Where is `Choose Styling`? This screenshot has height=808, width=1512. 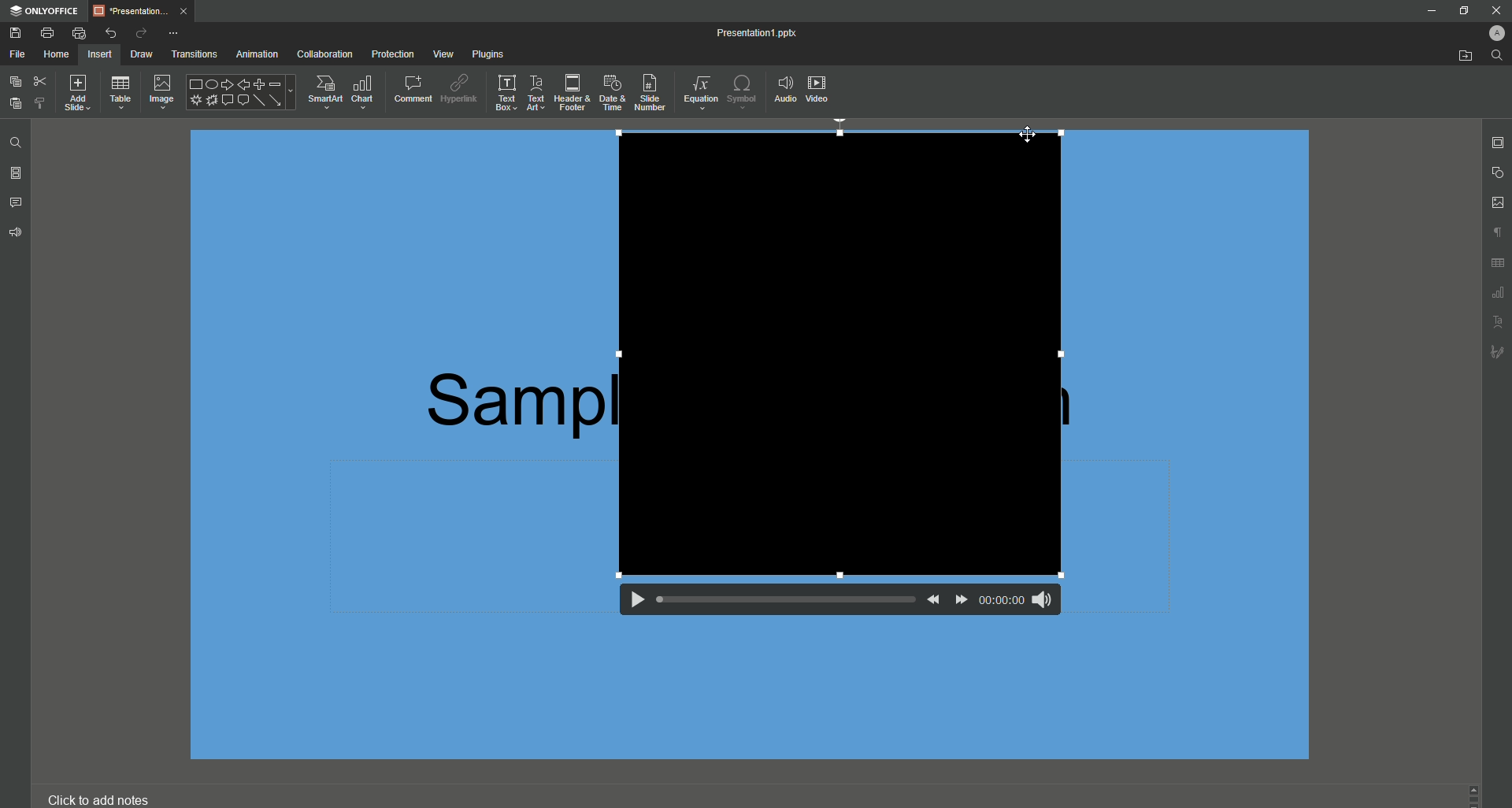
Choose Styling is located at coordinates (42, 102).